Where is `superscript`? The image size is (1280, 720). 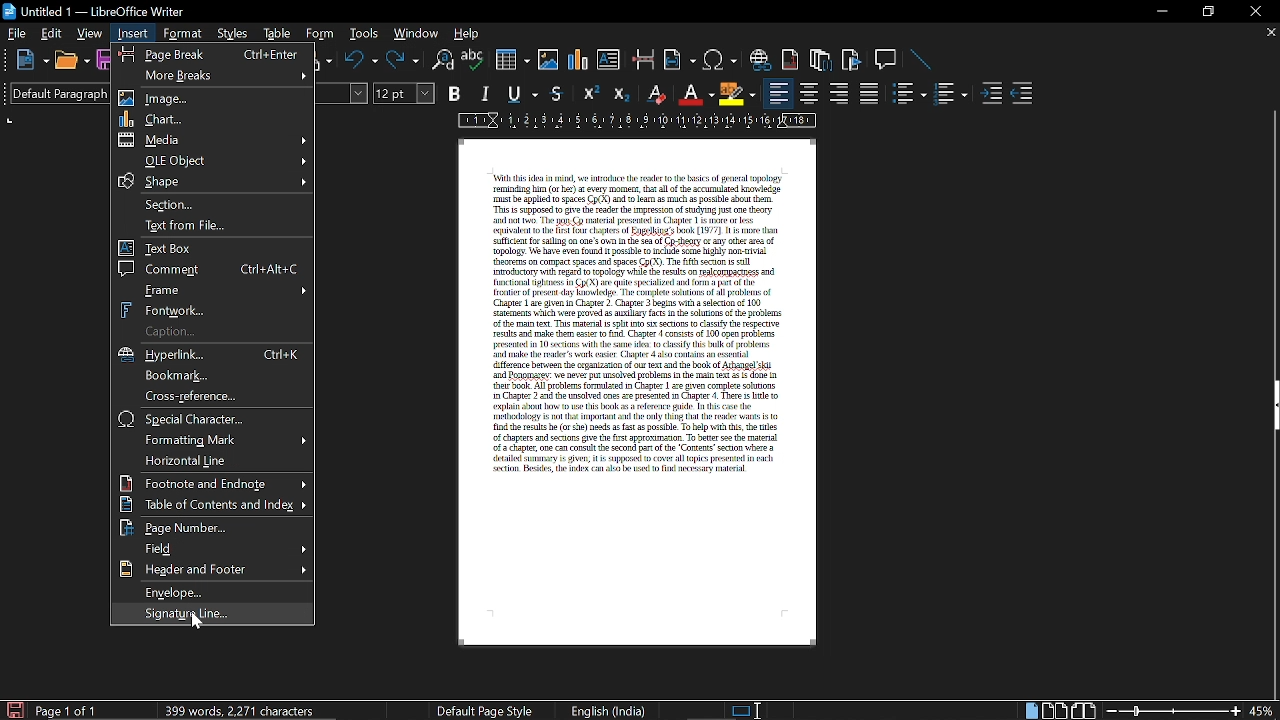
superscript is located at coordinates (590, 94).